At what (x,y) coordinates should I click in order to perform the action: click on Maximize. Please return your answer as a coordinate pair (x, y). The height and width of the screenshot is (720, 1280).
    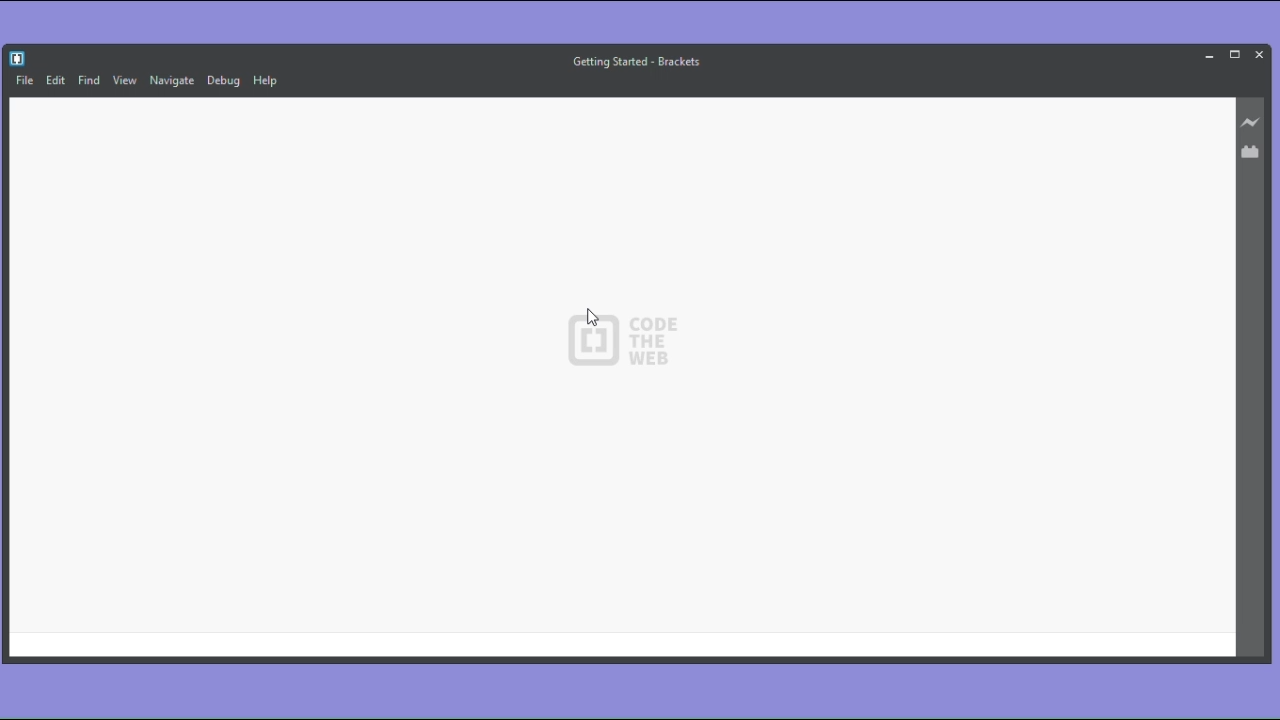
    Looking at the image, I should click on (1234, 53).